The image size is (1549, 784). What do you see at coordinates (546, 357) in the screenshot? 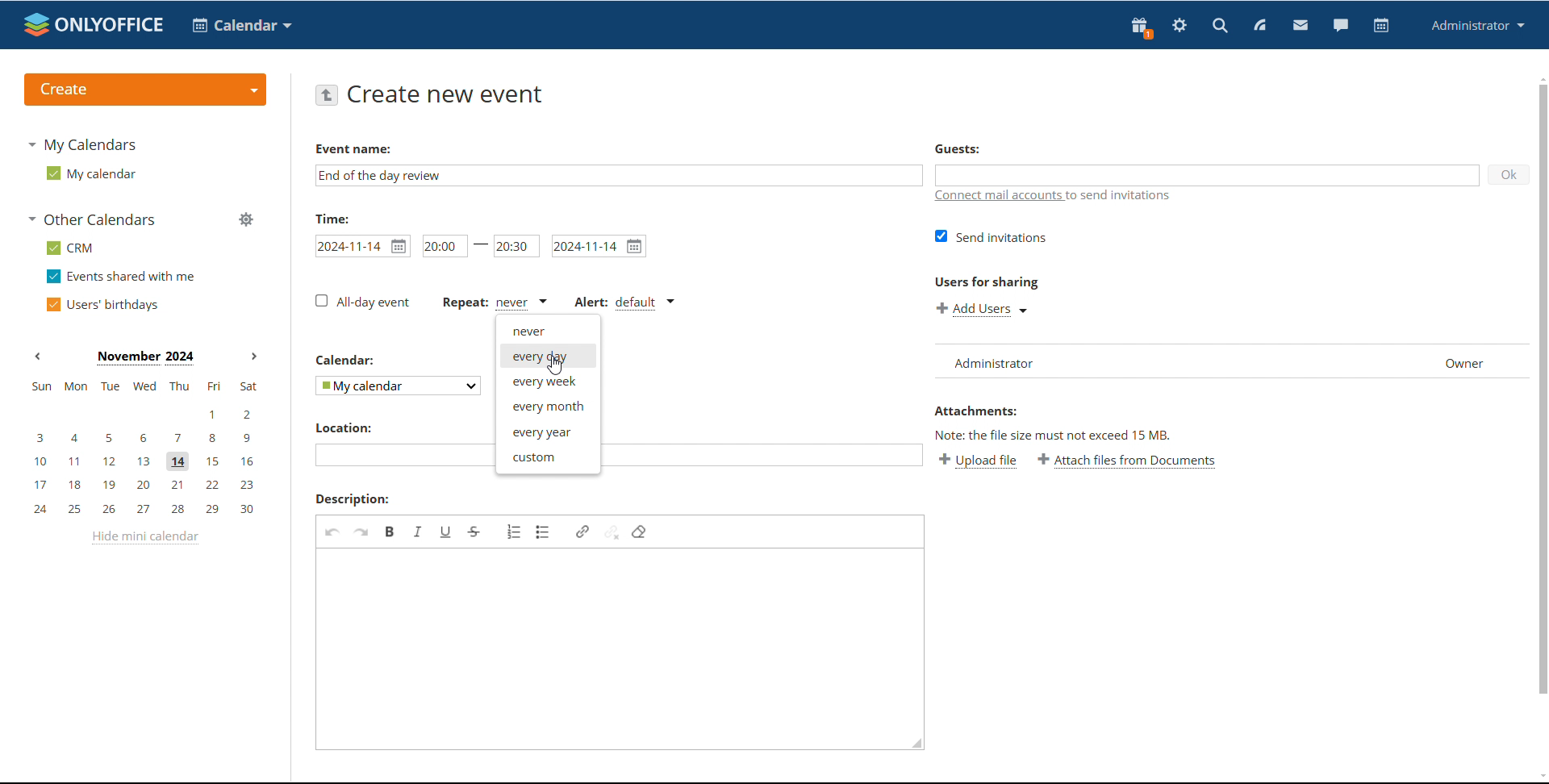
I see `every day` at bounding box center [546, 357].